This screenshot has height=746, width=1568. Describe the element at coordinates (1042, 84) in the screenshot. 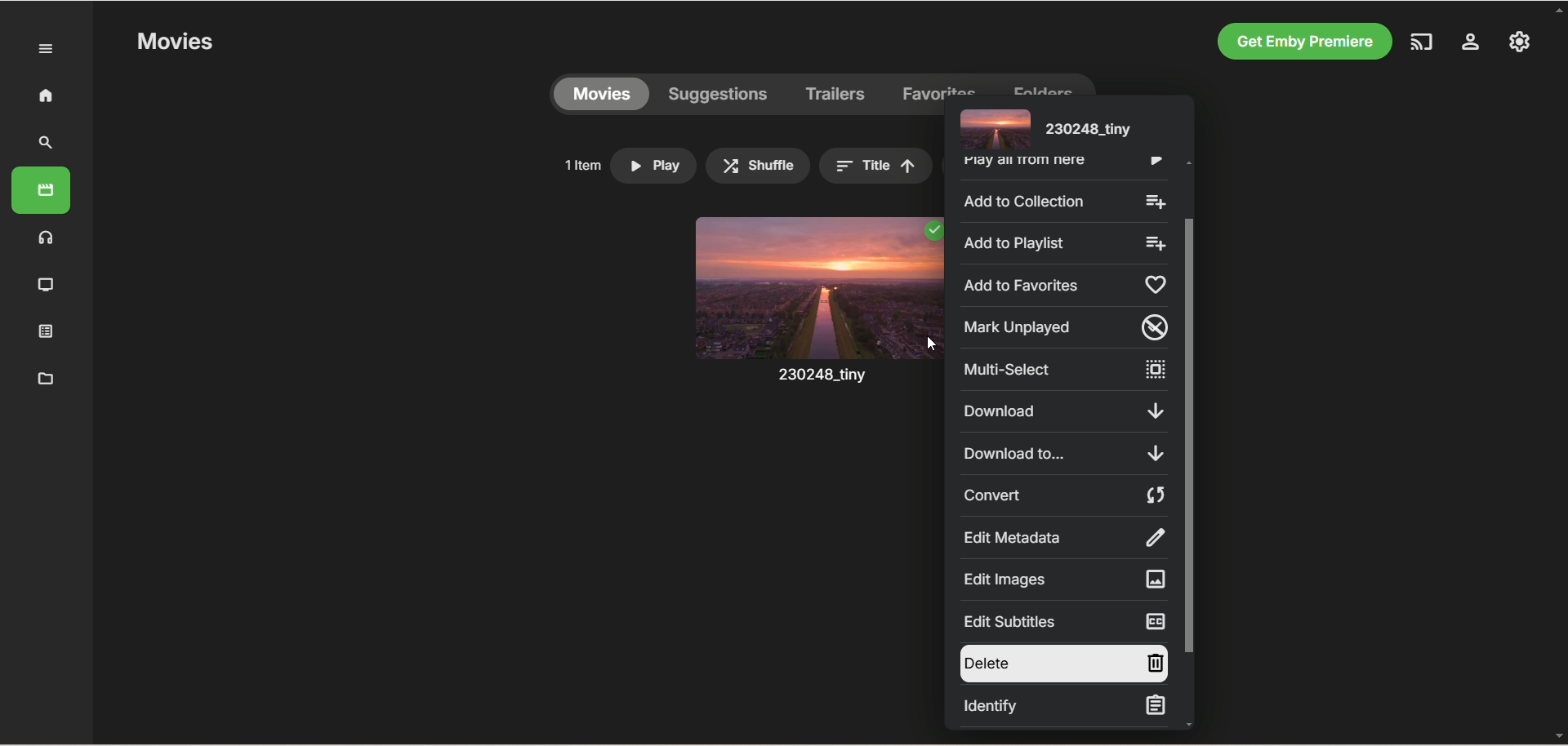

I see `folders` at that location.